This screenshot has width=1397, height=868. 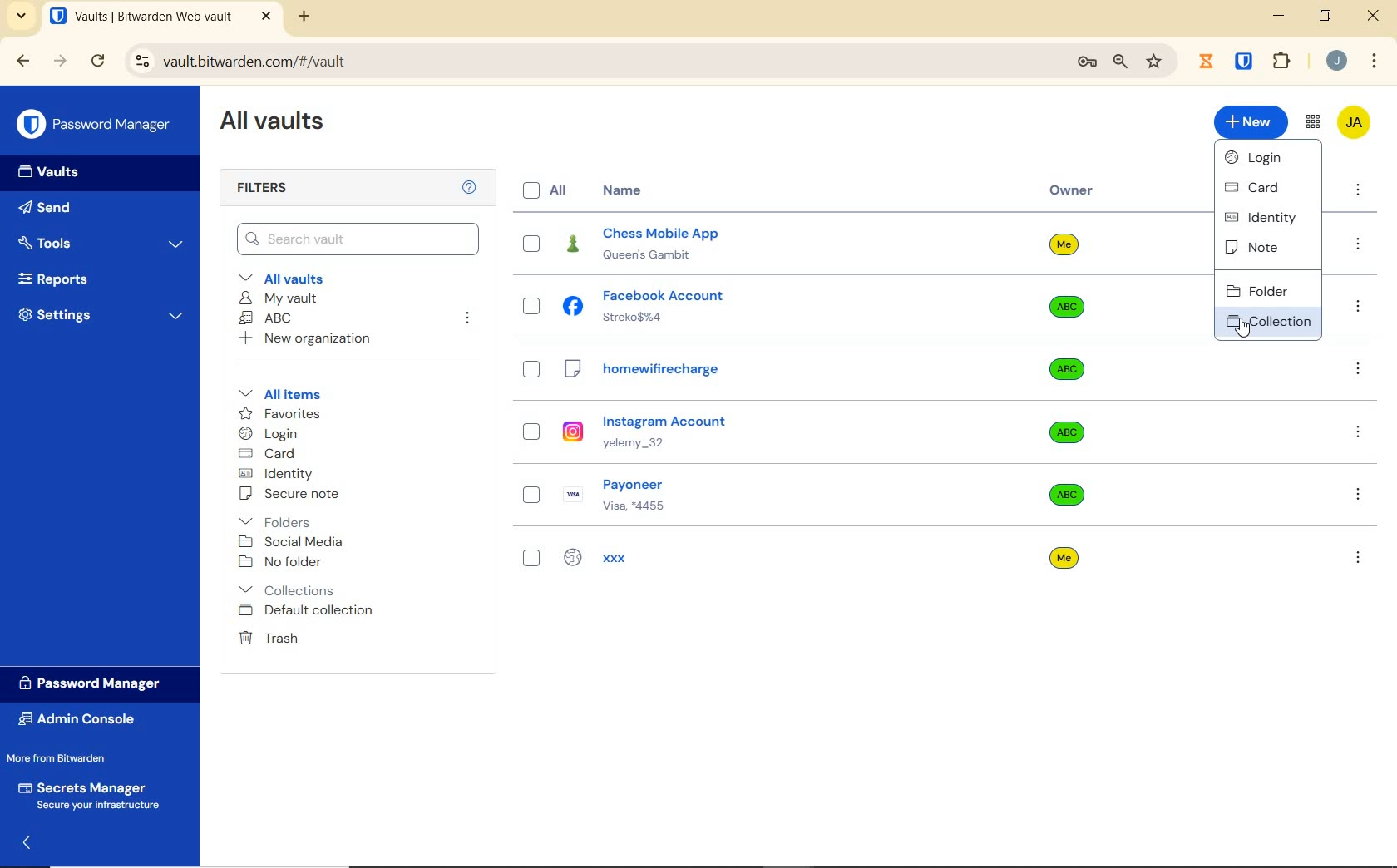 I want to click on close, so click(x=1374, y=14).